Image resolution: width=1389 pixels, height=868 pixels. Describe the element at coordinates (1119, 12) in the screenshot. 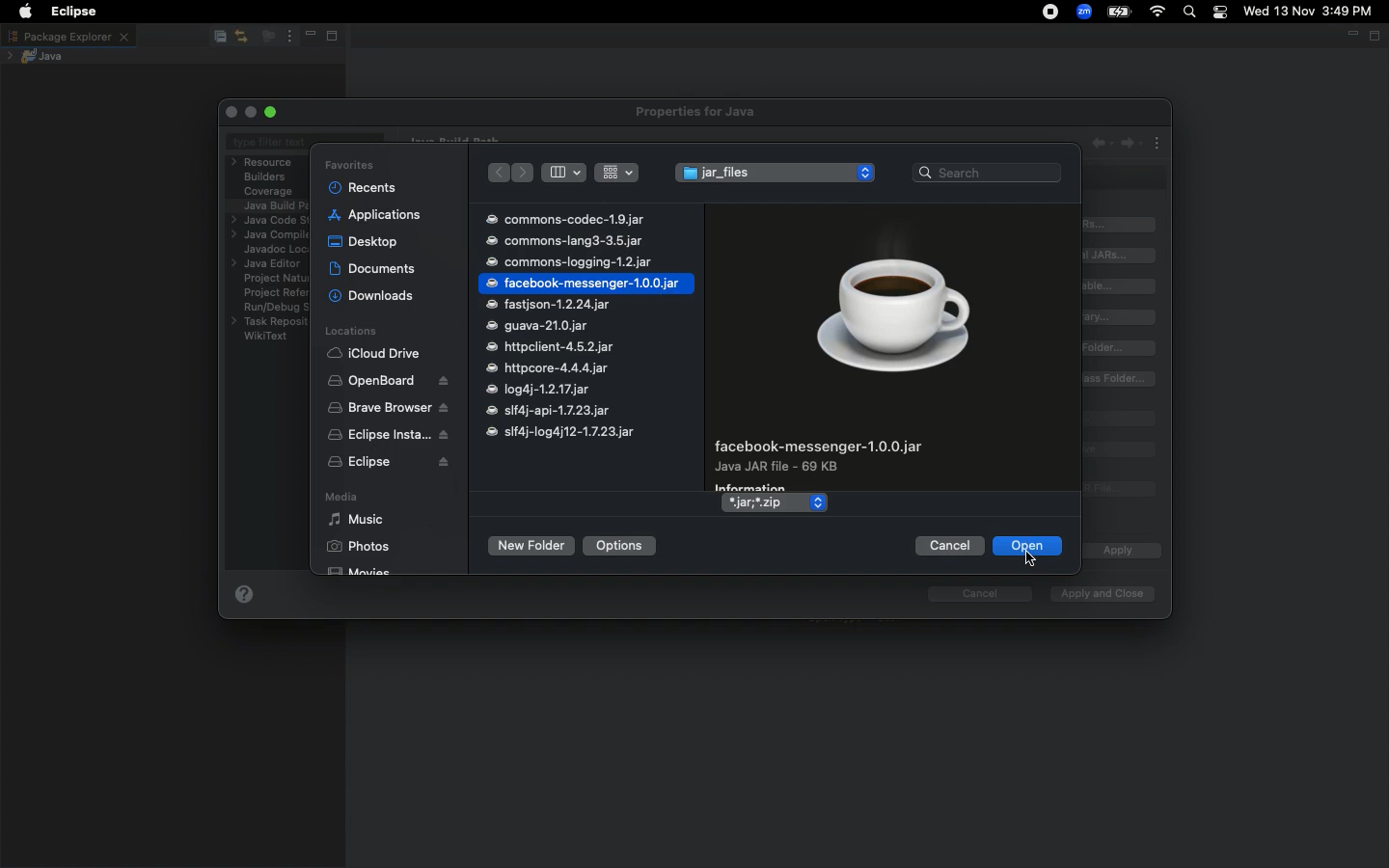

I see `Charge` at that location.